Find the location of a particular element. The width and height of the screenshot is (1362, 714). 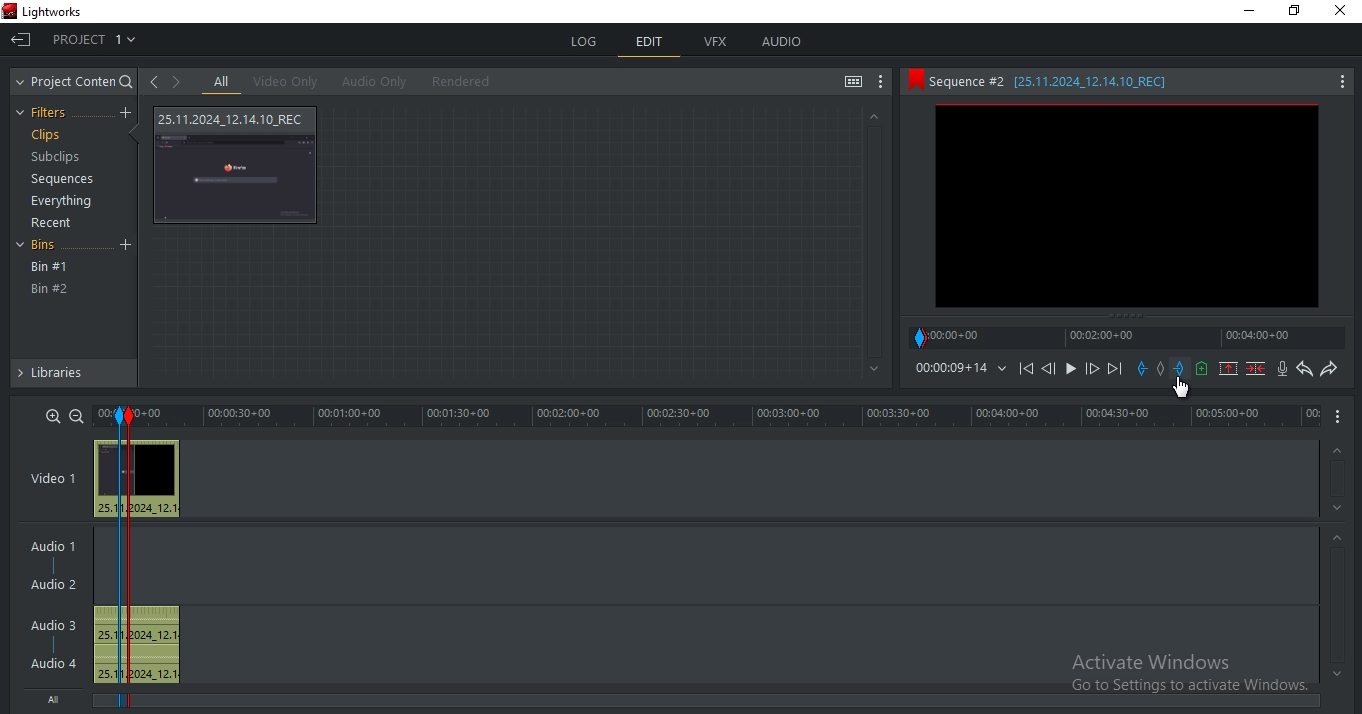

Next is located at coordinates (1117, 368).